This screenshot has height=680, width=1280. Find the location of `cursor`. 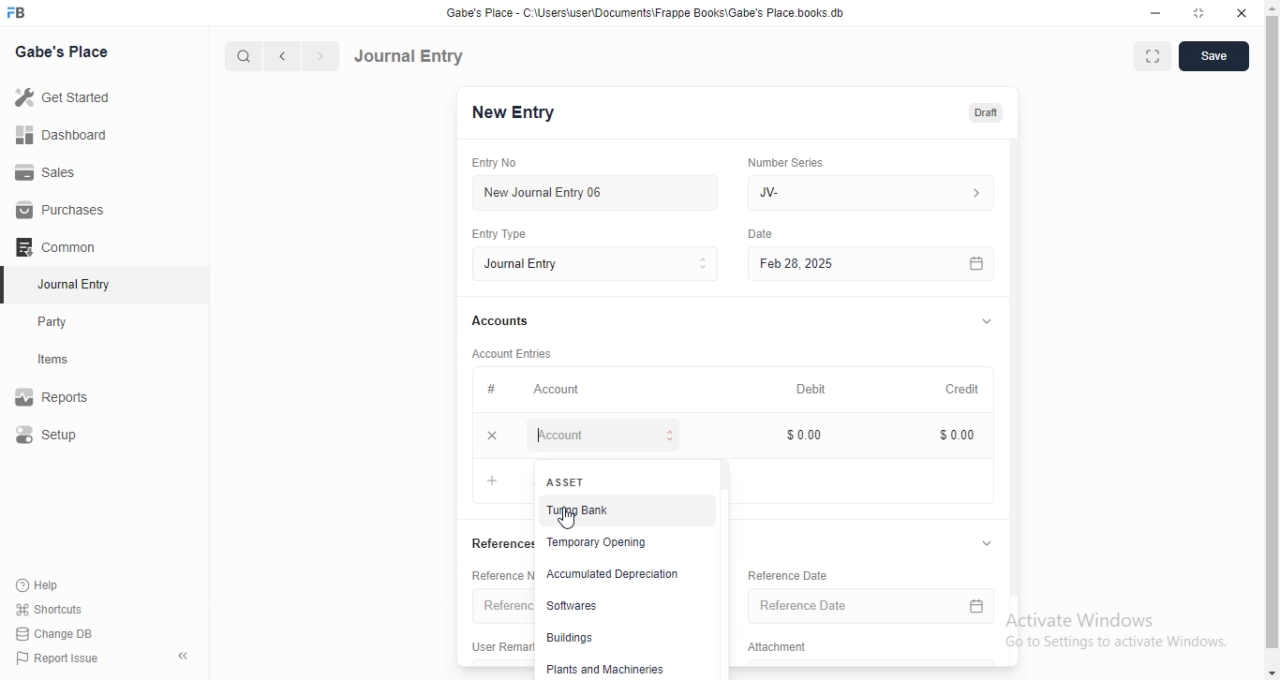

cursor is located at coordinates (570, 521).